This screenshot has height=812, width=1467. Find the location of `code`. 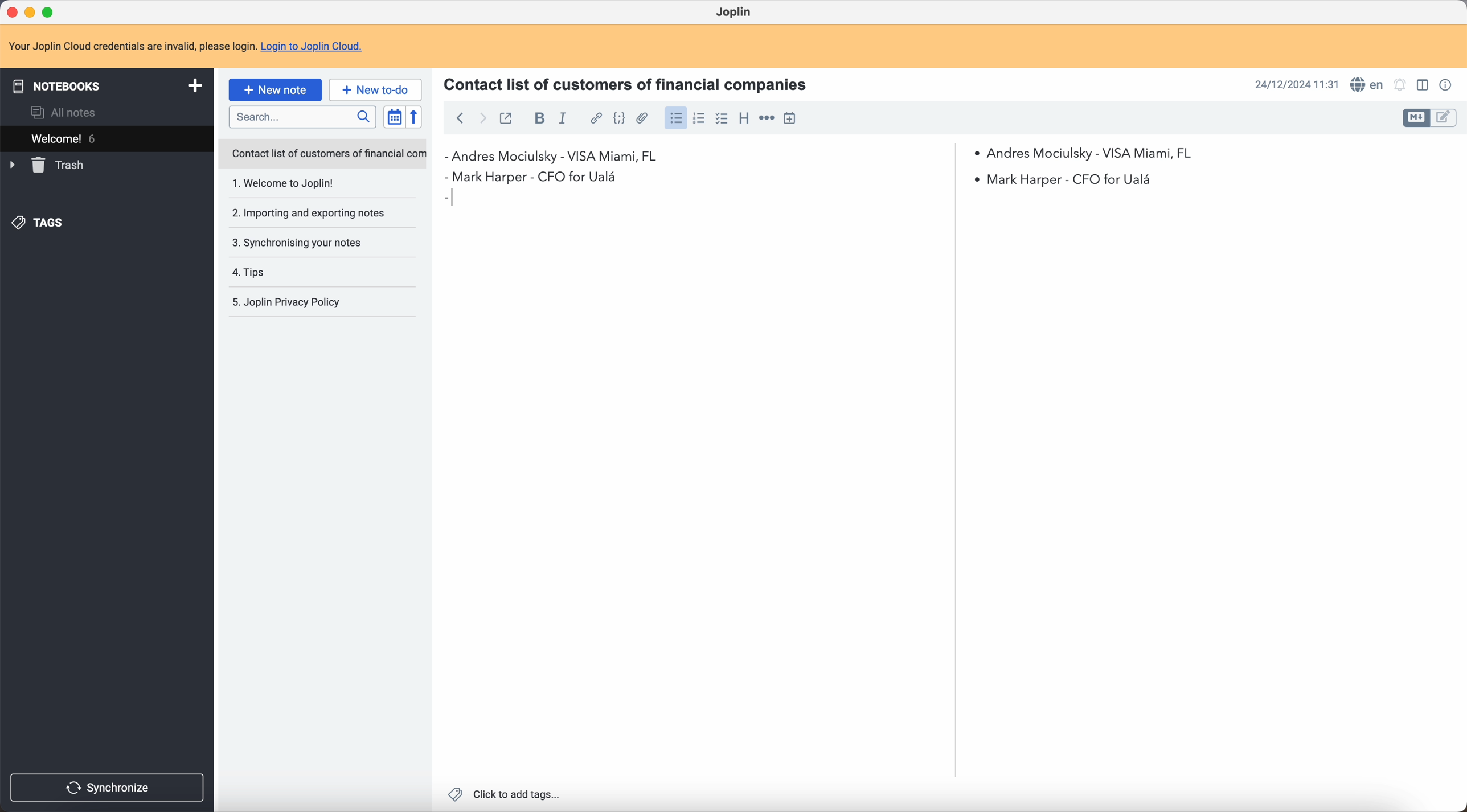

code is located at coordinates (619, 119).